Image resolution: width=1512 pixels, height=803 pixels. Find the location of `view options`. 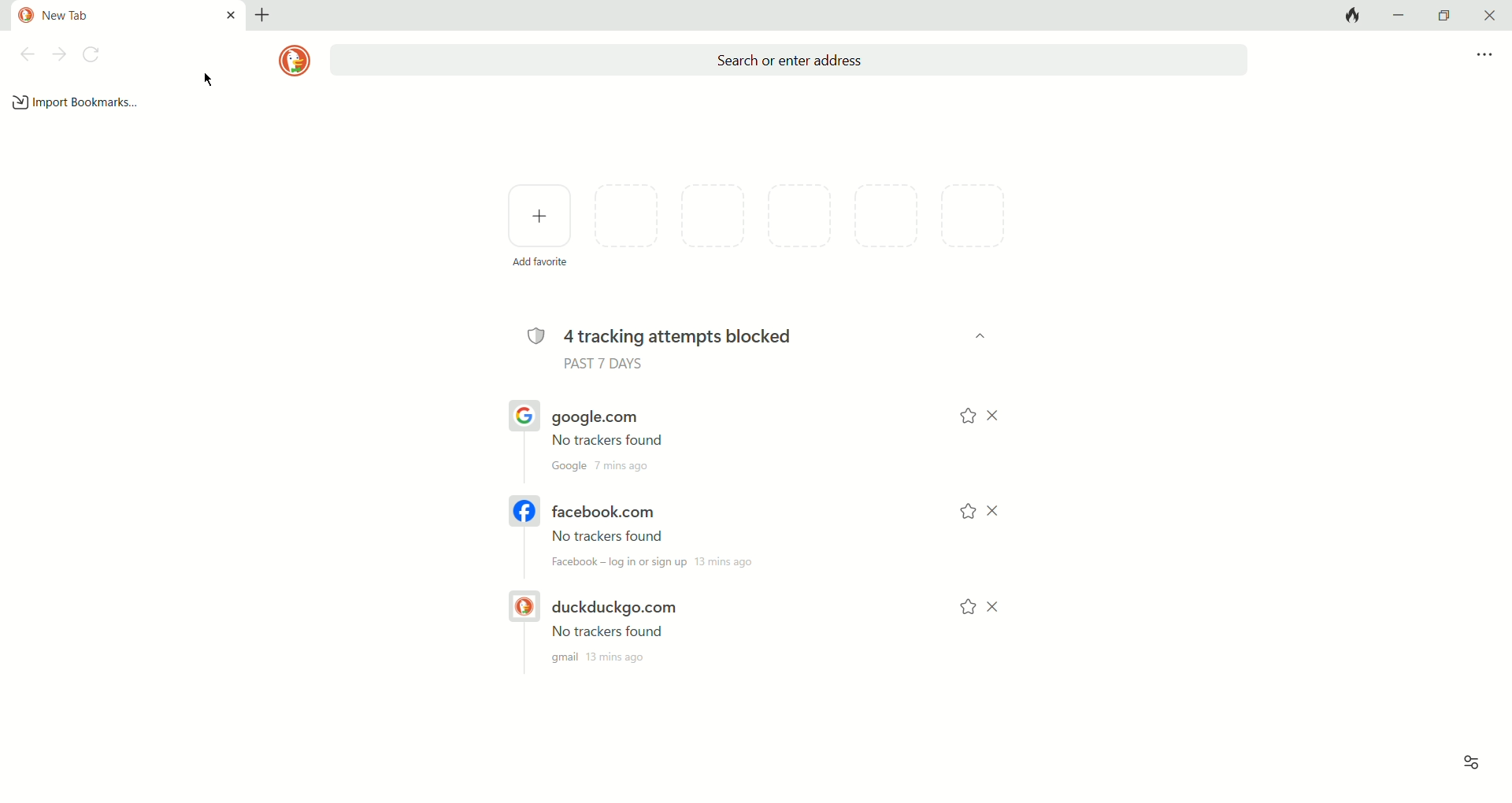

view options is located at coordinates (1470, 768).